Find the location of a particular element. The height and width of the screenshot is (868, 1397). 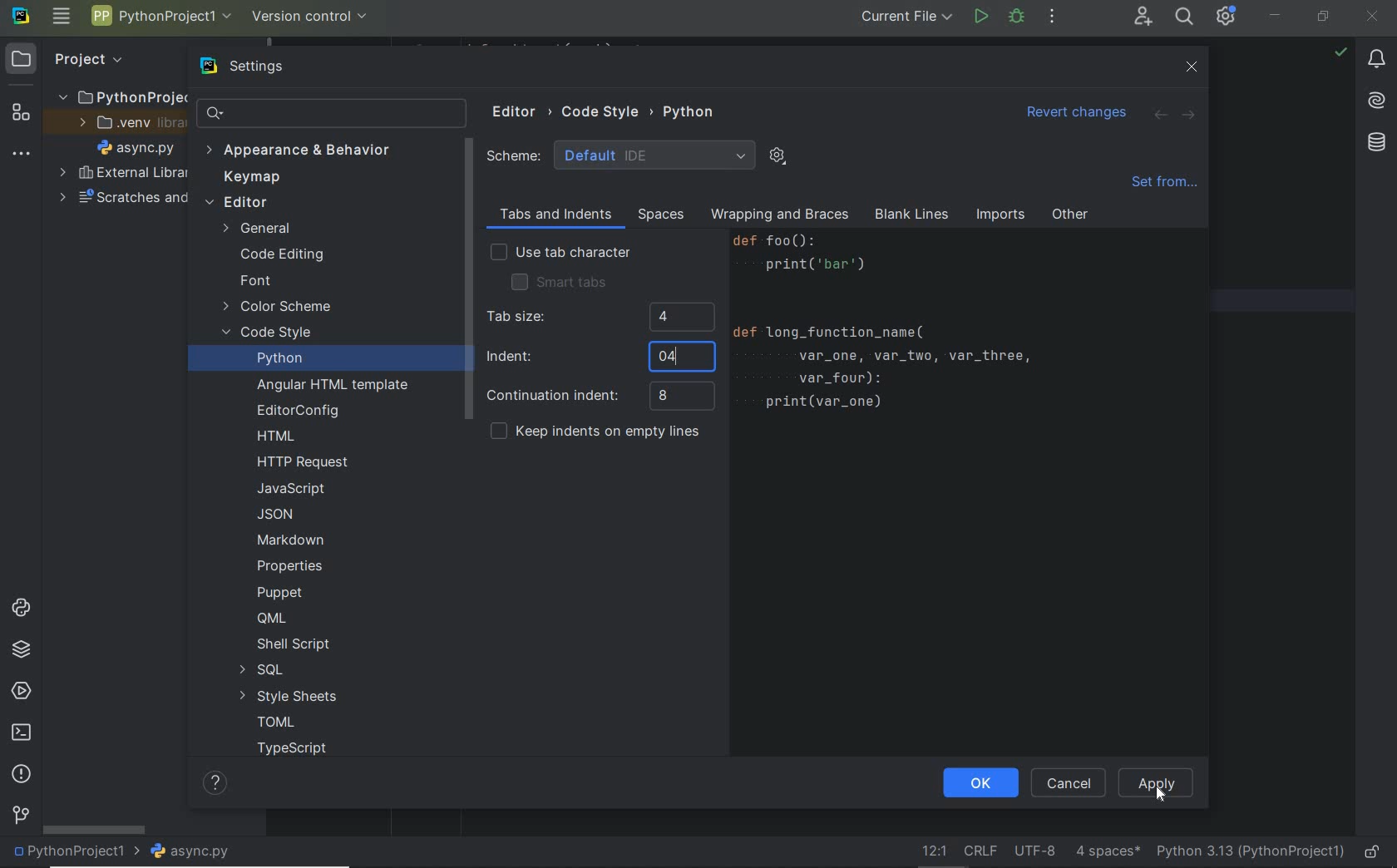

keep indents on empty lines is located at coordinates (595, 433).